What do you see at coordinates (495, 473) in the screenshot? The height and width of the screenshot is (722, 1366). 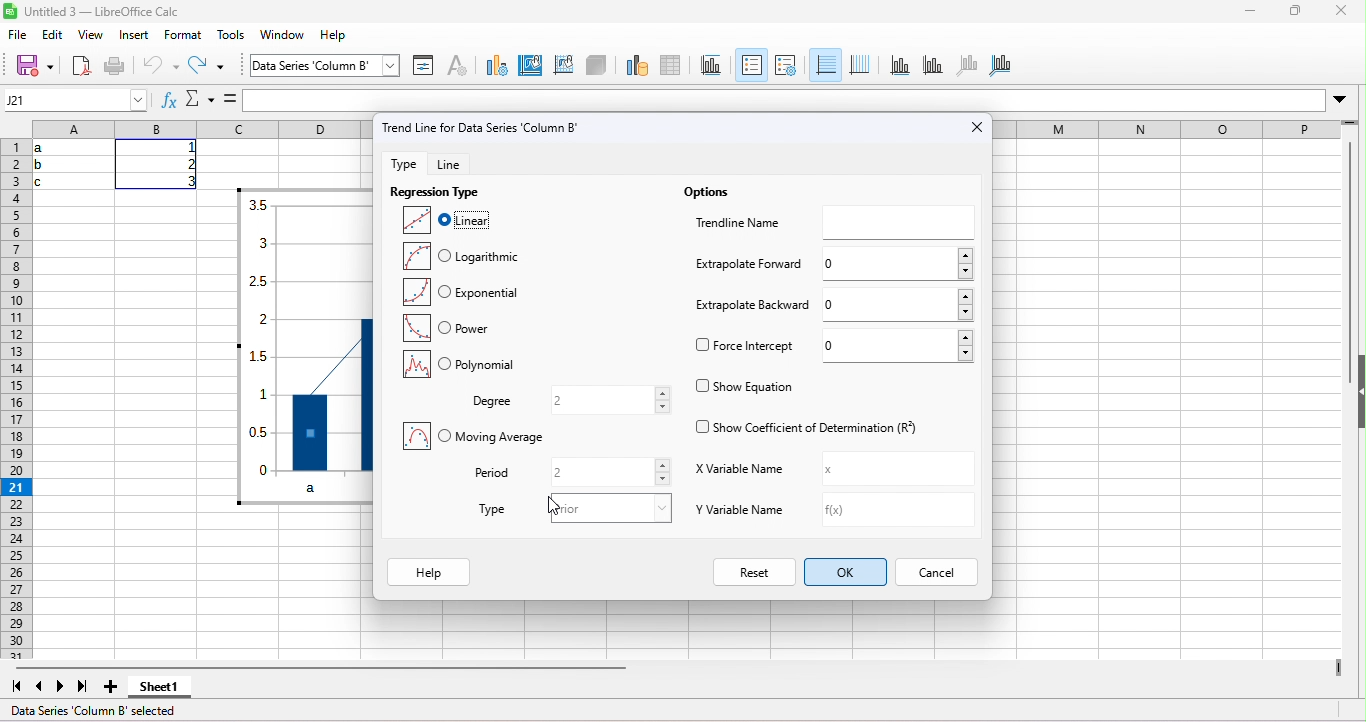 I see `period` at bounding box center [495, 473].